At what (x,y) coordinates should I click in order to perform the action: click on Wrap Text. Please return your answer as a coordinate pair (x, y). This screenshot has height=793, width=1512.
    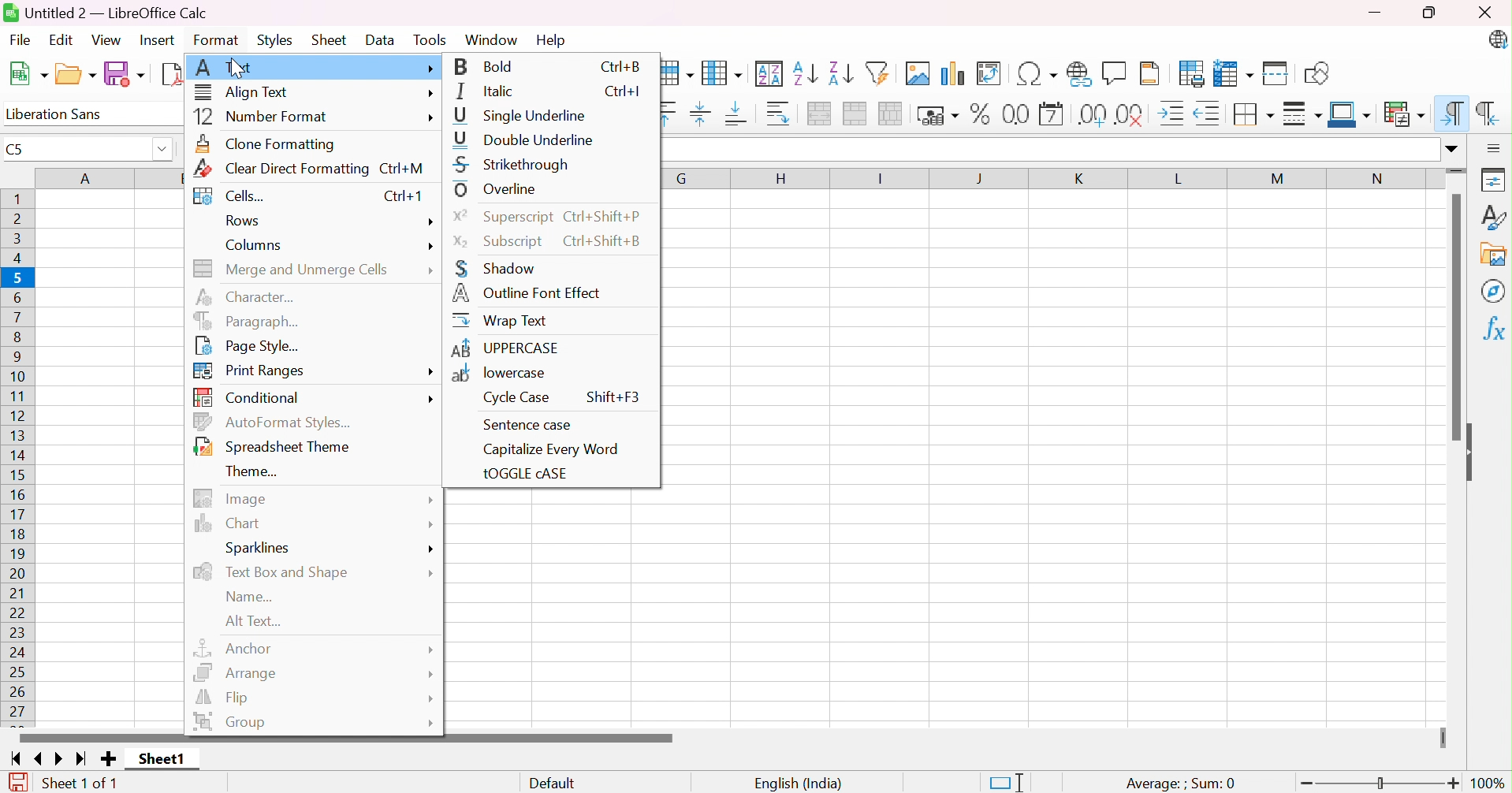
    Looking at the image, I should click on (779, 116).